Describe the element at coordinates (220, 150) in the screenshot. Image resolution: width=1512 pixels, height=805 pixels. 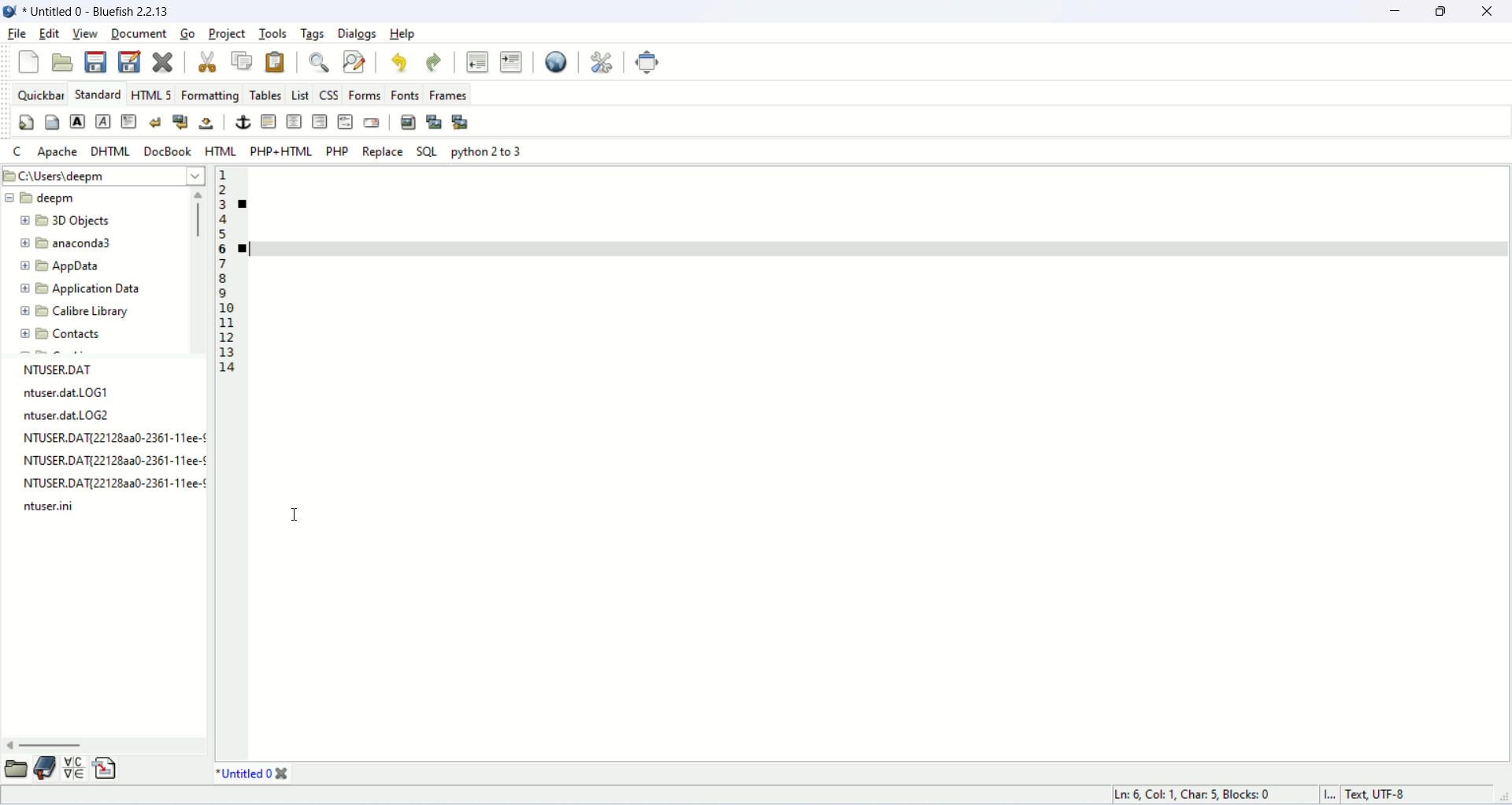
I see `HTML` at that location.